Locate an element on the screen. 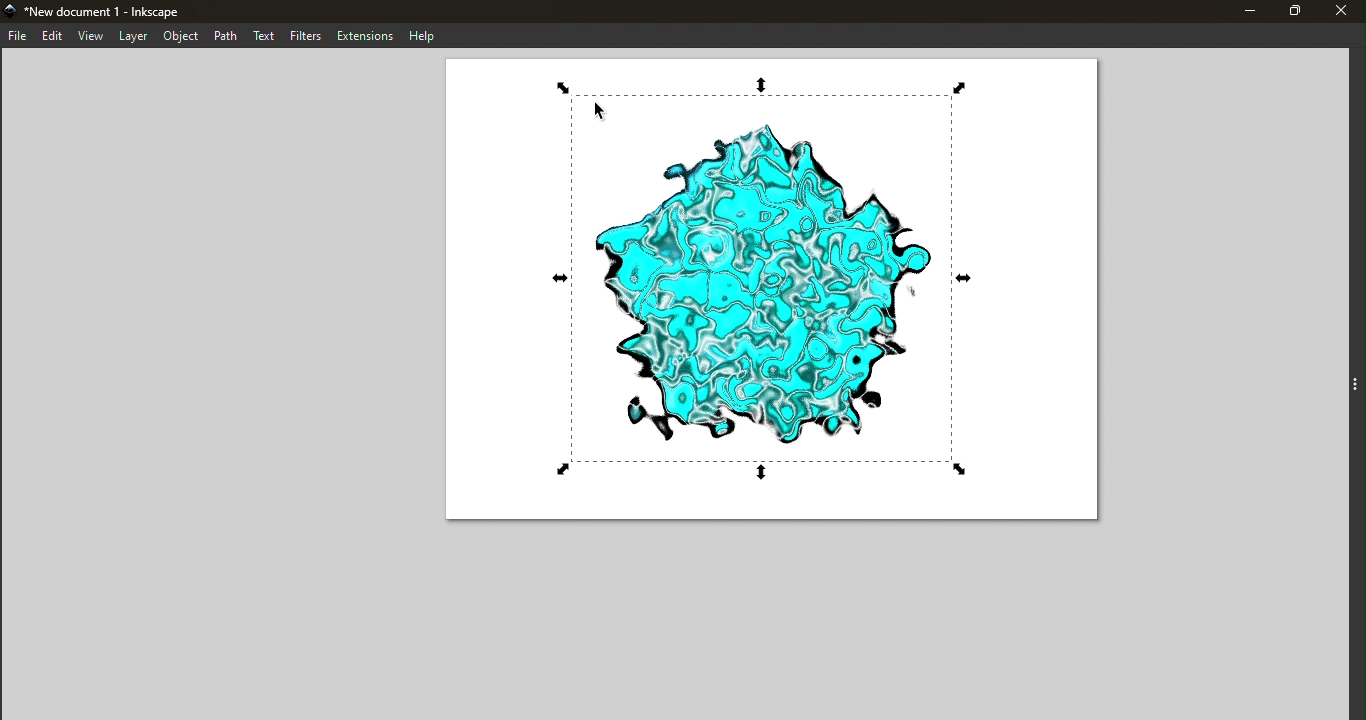 The width and height of the screenshot is (1366, 720). Toggle command panel is located at coordinates (1340, 386).